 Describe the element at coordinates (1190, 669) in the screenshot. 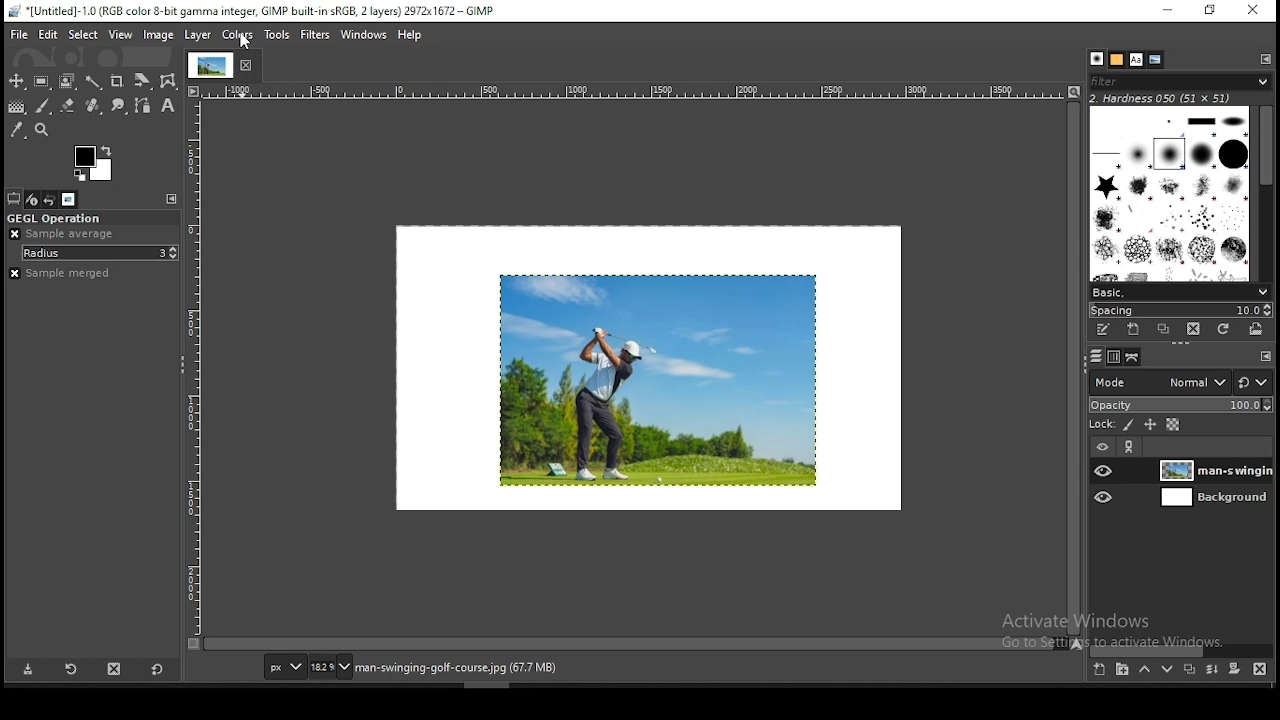

I see `duplicate layer` at that location.